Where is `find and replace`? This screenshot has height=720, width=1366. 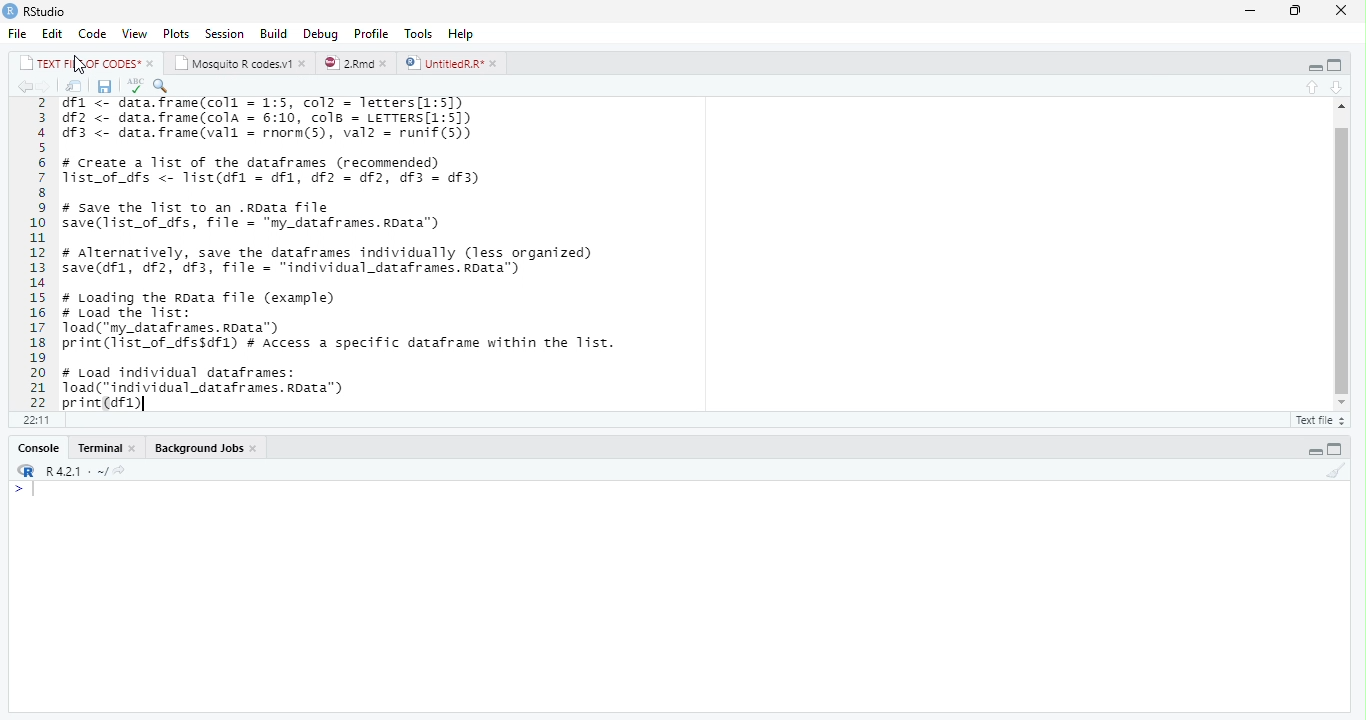 find and replace is located at coordinates (163, 85).